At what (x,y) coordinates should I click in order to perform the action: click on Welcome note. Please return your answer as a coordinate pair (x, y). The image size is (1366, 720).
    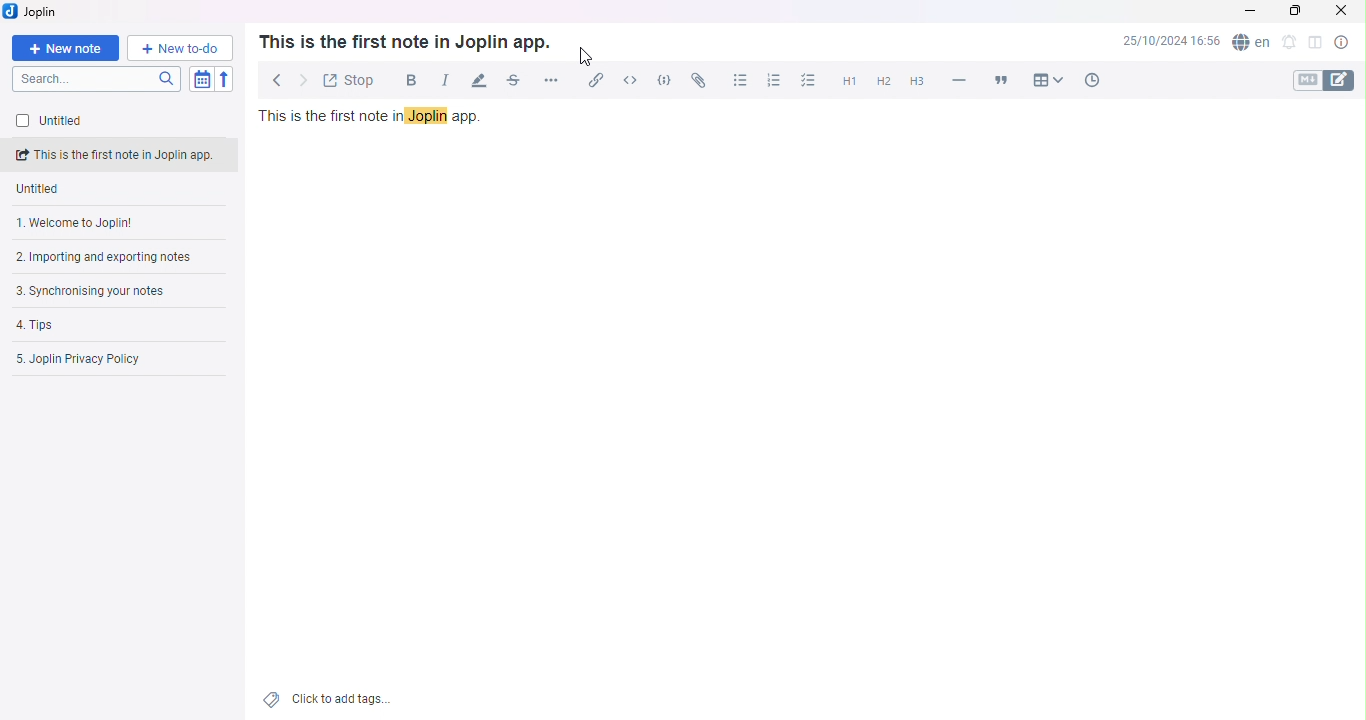
    Looking at the image, I should click on (116, 224).